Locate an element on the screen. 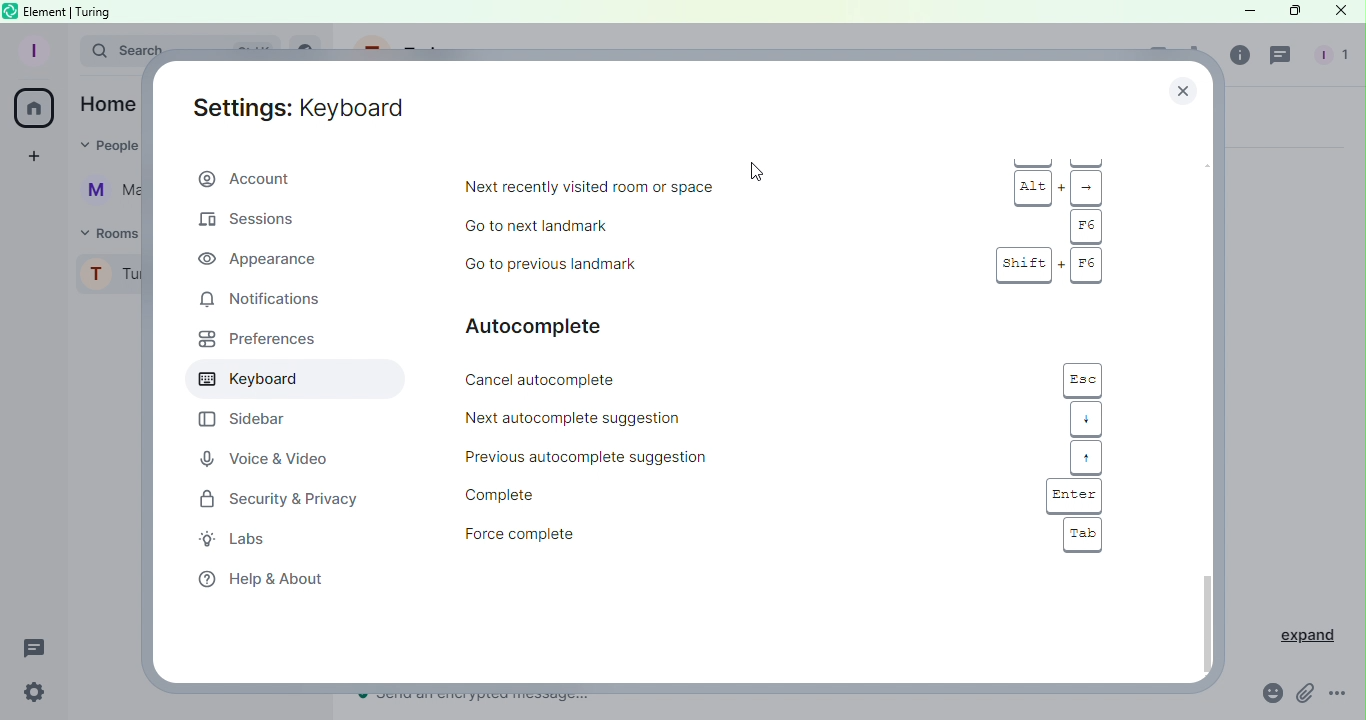 This screenshot has height=720, width=1366. Security and privacy is located at coordinates (272, 498).